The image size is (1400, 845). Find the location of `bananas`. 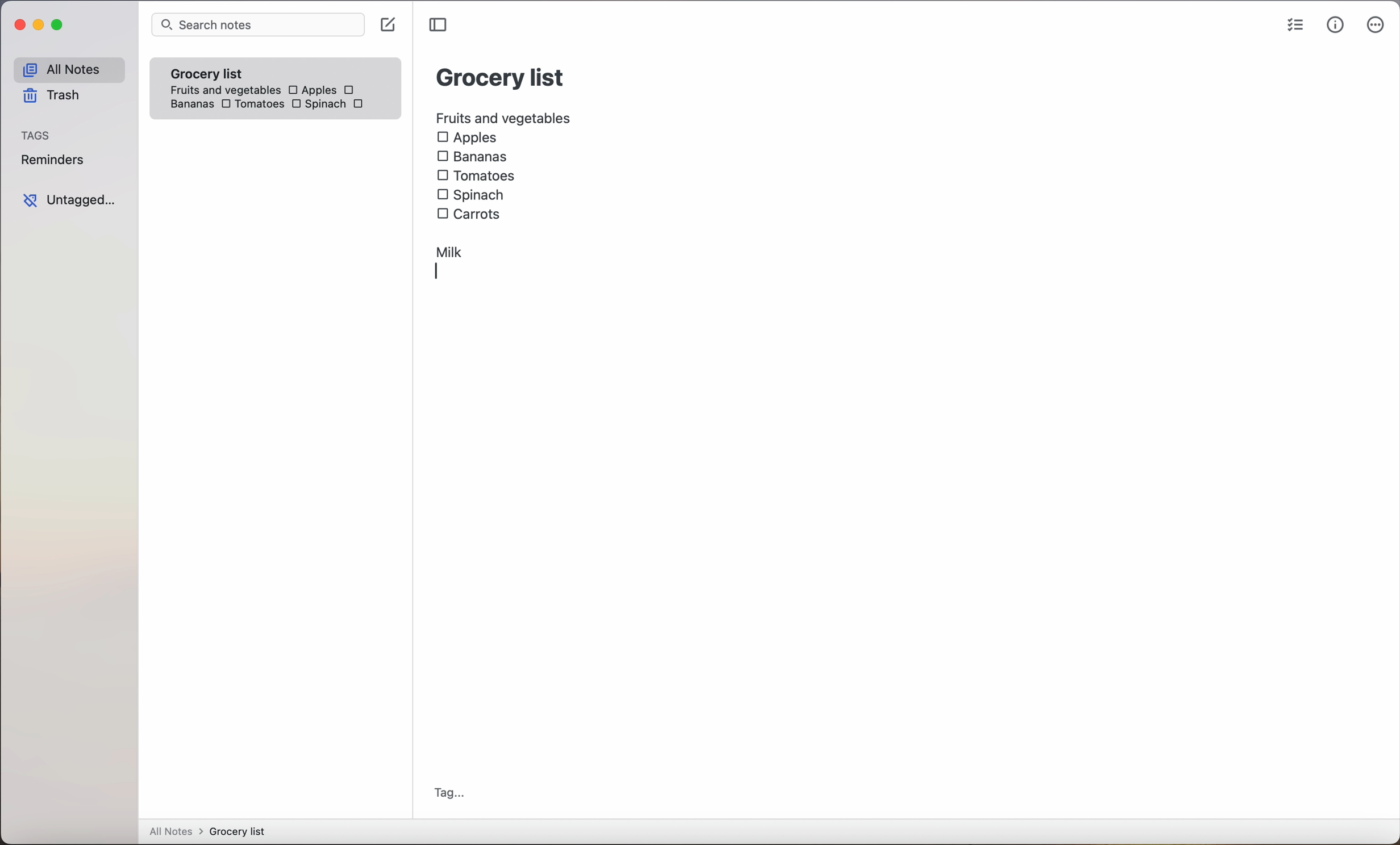

bananas is located at coordinates (190, 104).